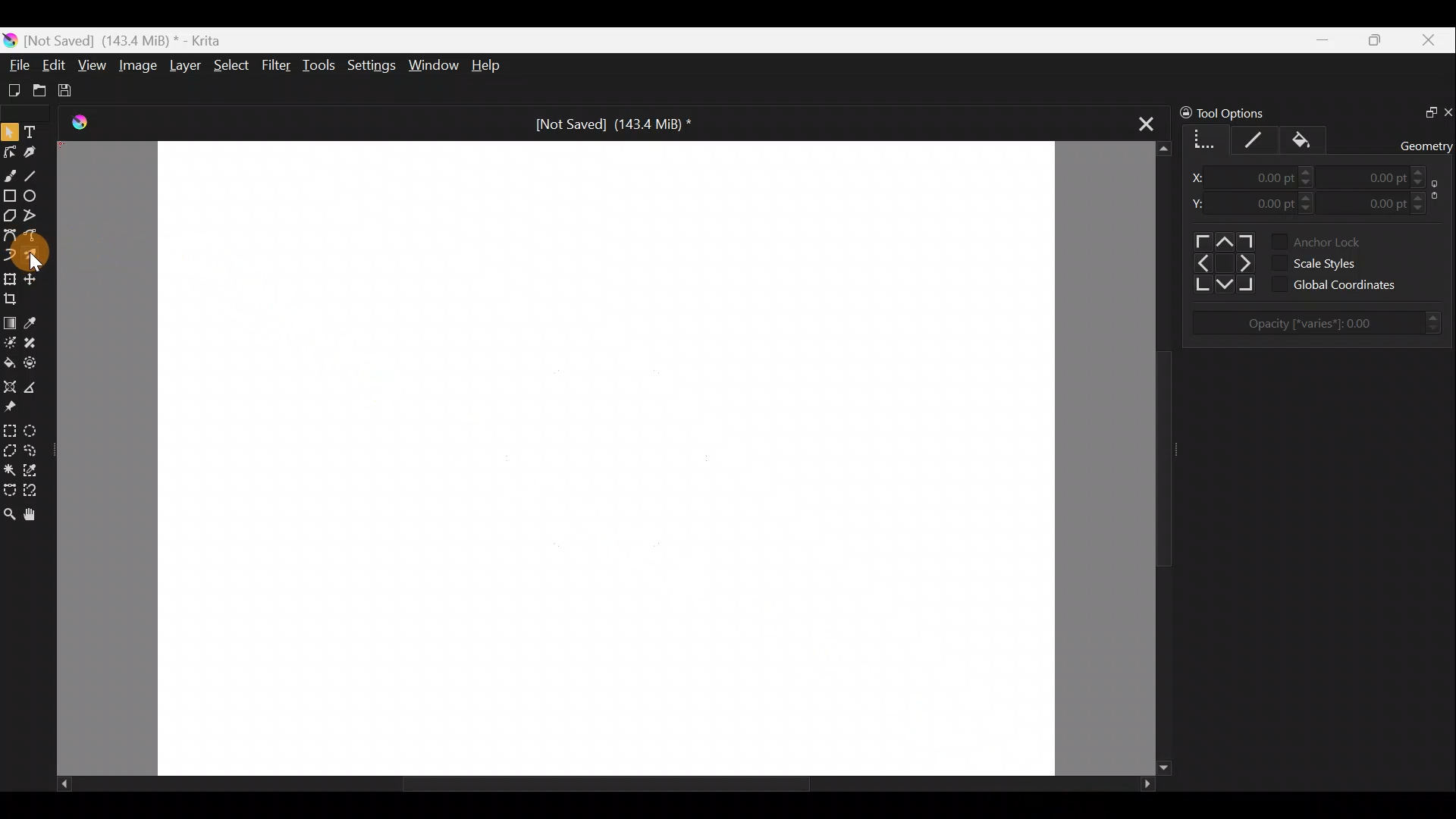 This screenshot has width=1456, height=819. Describe the element at coordinates (86, 124) in the screenshot. I see `Logo` at that location.